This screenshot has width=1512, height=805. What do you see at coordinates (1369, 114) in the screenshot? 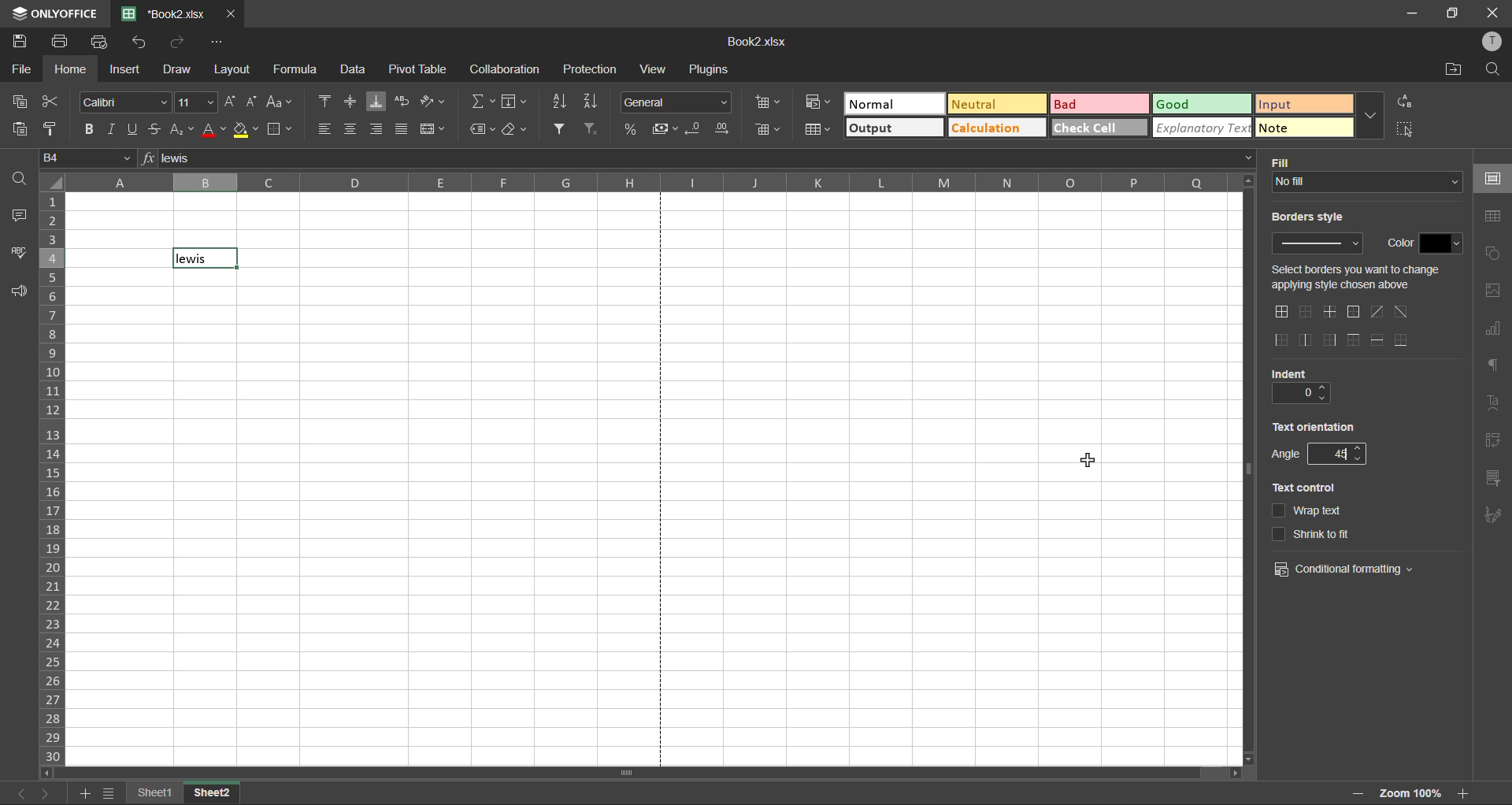
I see `more options` at bounding box center [1369, 114].